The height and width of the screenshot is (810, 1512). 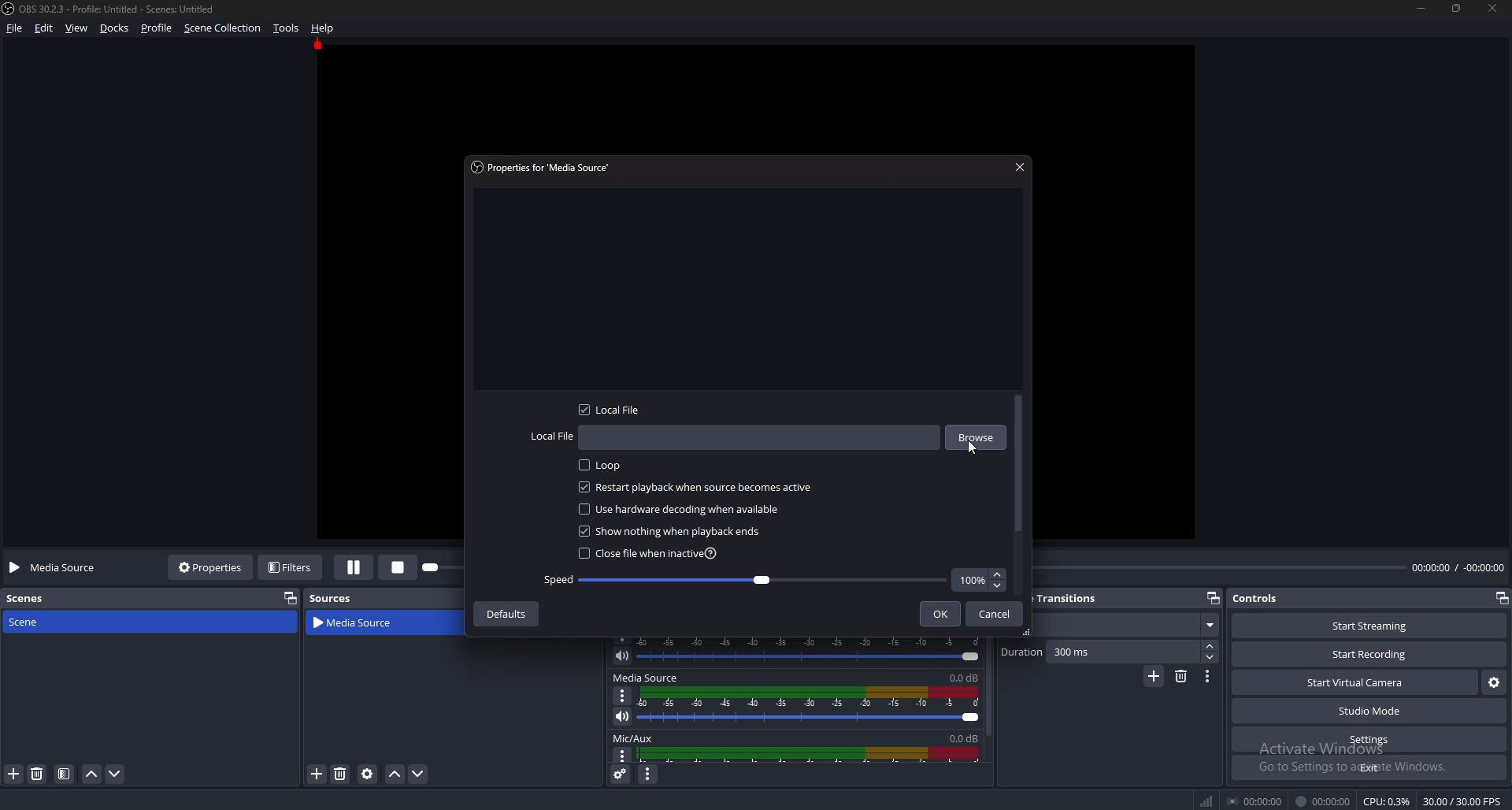 What do you see at coordinates (813, 754) in the screenshot?
I see `mic/aux volume` at bounding box center [813, 754].